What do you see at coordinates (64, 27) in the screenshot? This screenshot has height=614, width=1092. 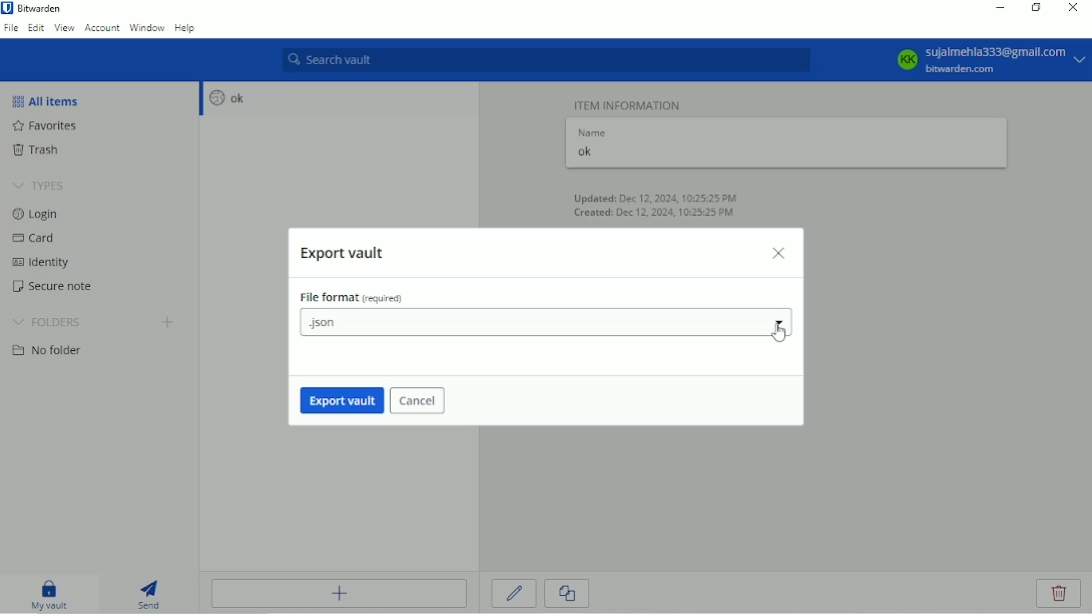 I see `View` at bounding box center [64, 27].